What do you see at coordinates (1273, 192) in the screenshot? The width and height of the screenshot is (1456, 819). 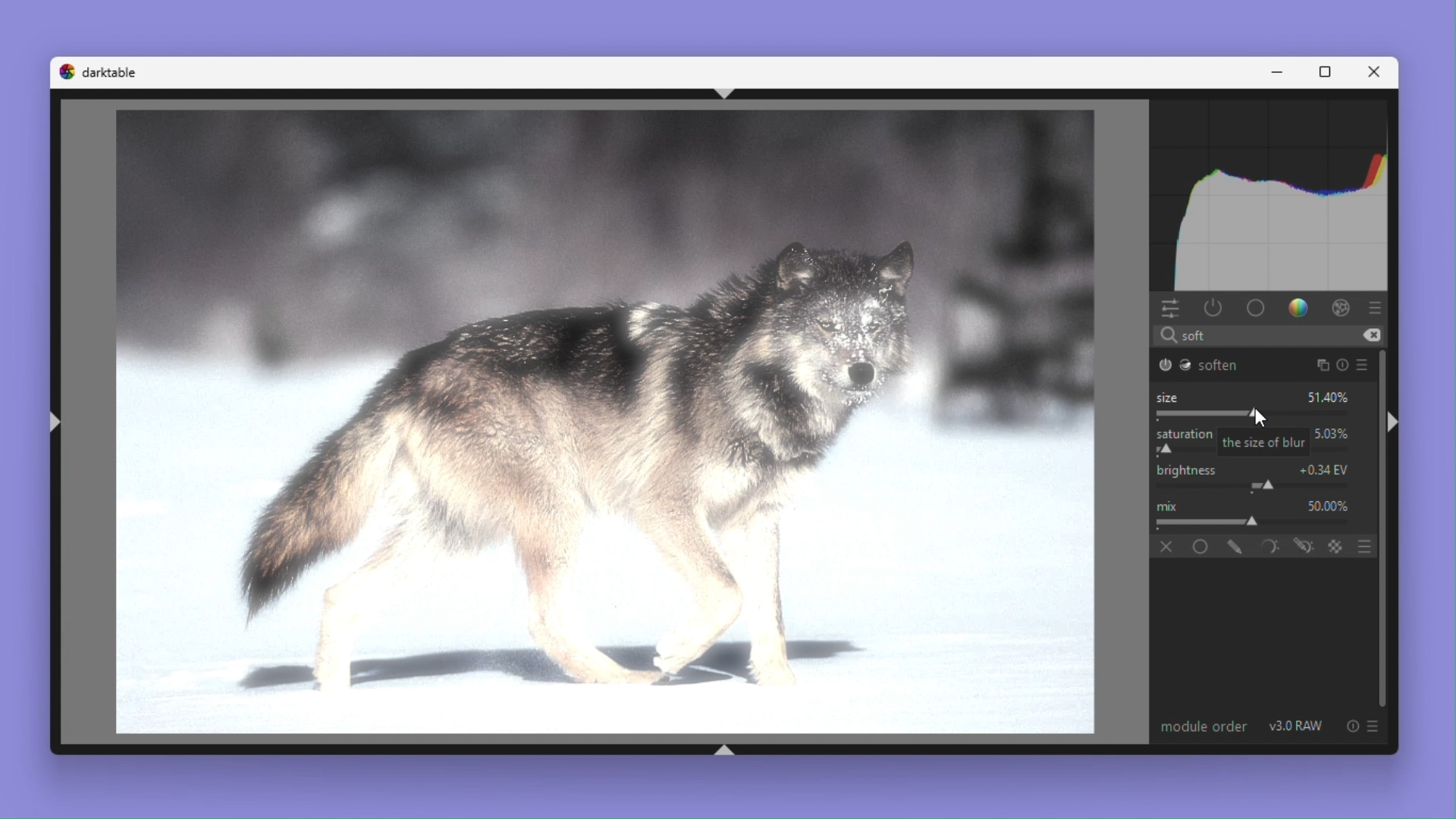 I see `Histogram` at bounding box center [1273, 192].